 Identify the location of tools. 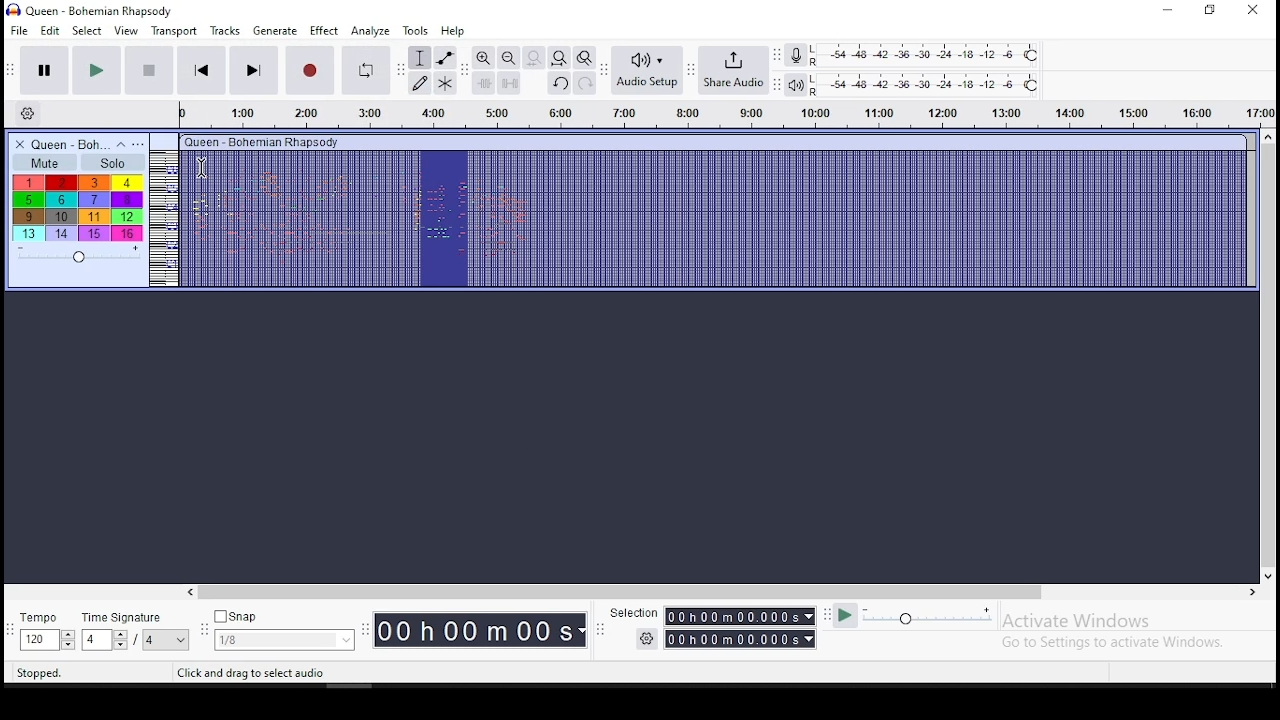
(415, 31).